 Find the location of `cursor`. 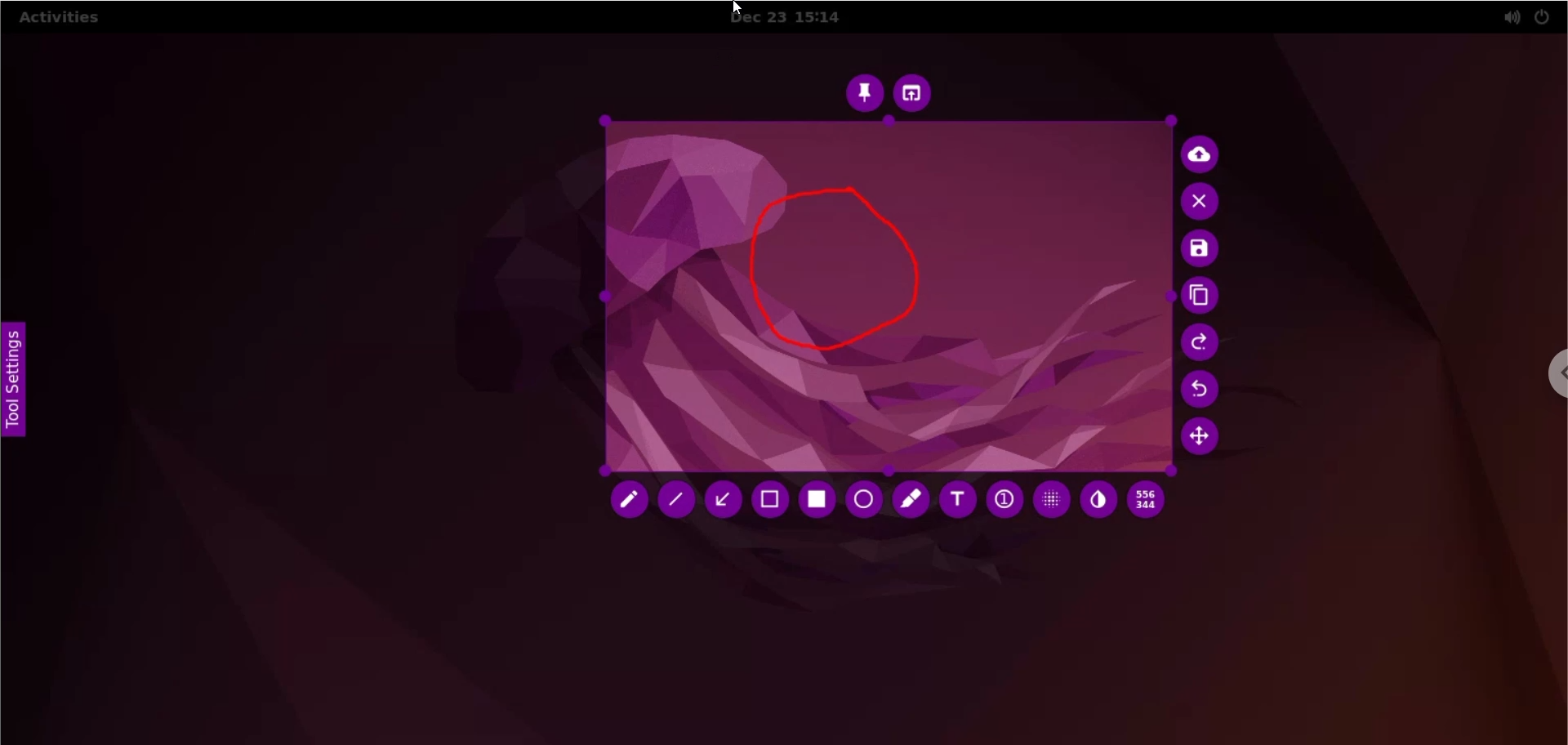

cursor is located at coordinates (748, 11).